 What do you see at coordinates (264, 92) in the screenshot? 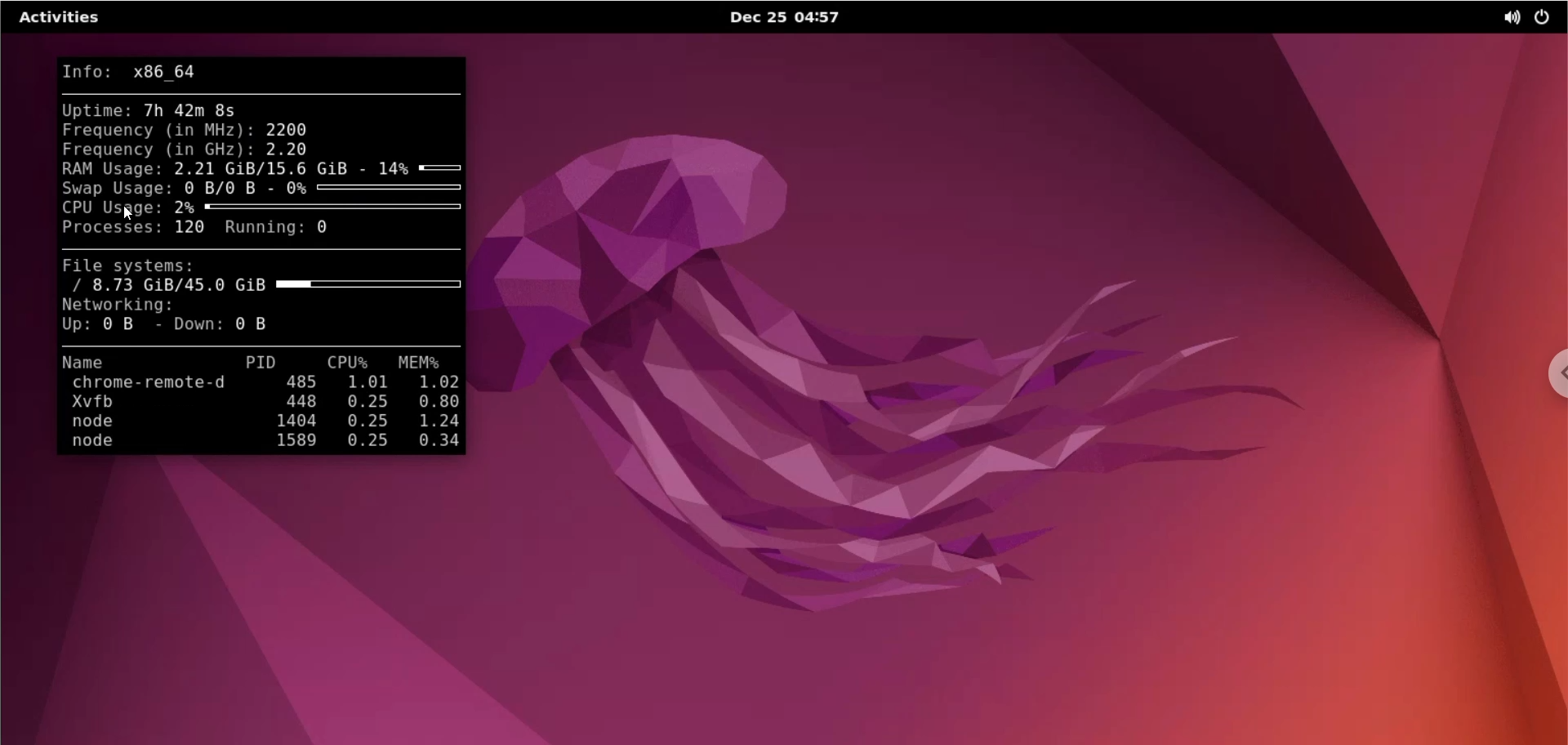
I see `line` at bounding box center [264, 92].